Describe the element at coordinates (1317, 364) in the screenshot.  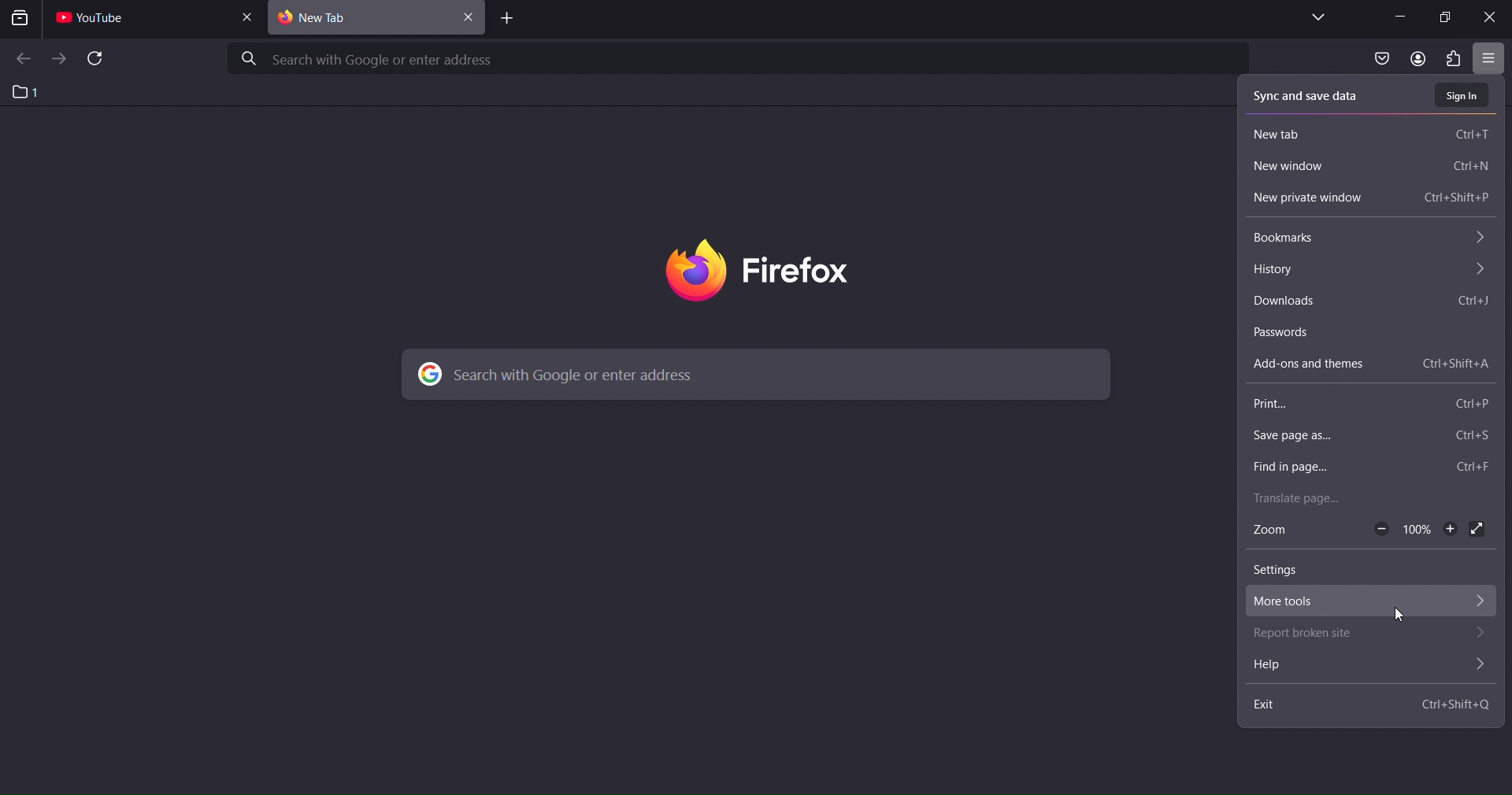
I see `add ons and themes` at that location.